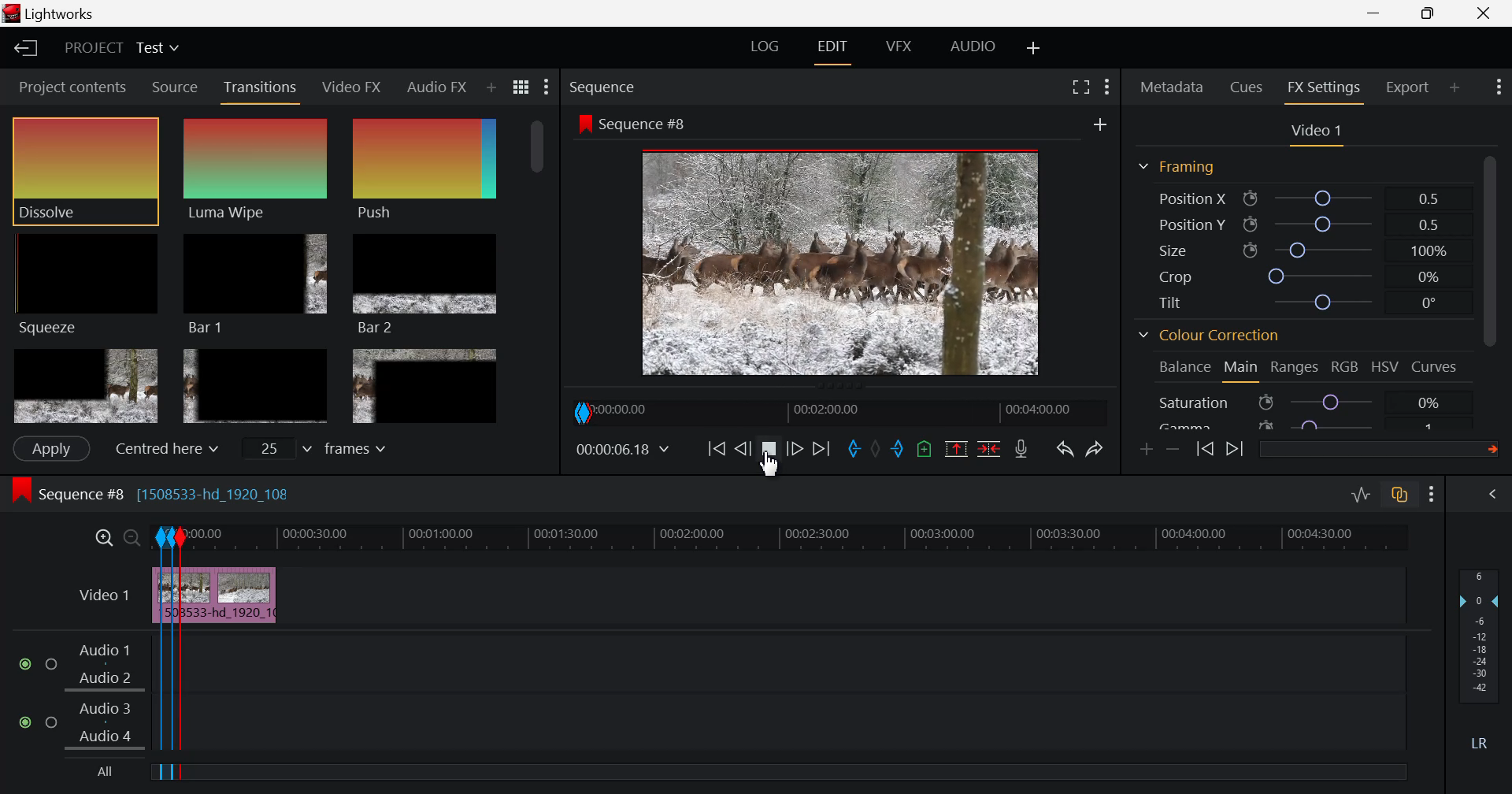 This screenshot has height=794, width=1512. I want to click on Previous keyframe, so click(1206, 451).